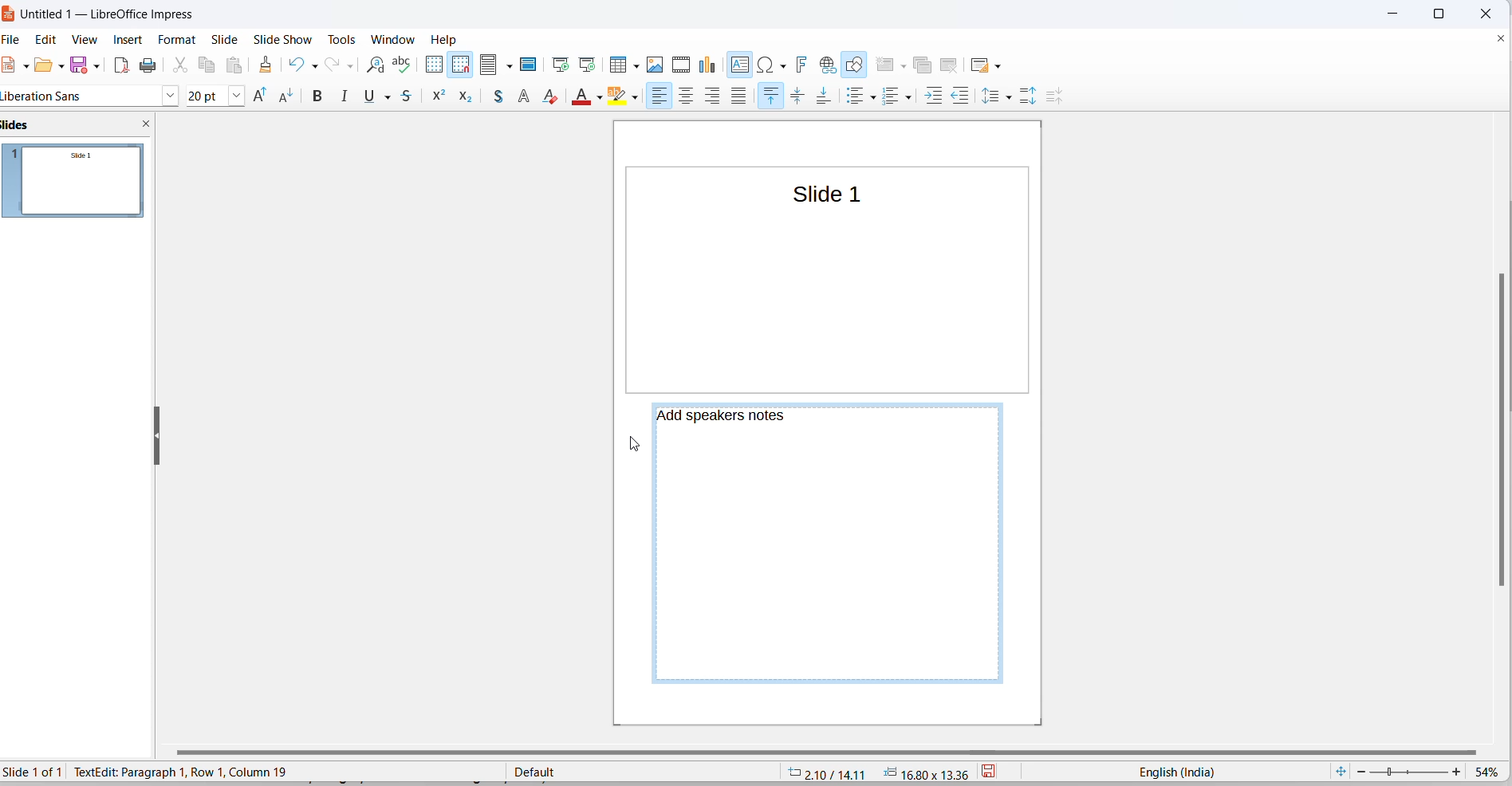 This screenshot has width=1512, height=786. I want to click on cursor and selection coordinates, so click(877, 772).